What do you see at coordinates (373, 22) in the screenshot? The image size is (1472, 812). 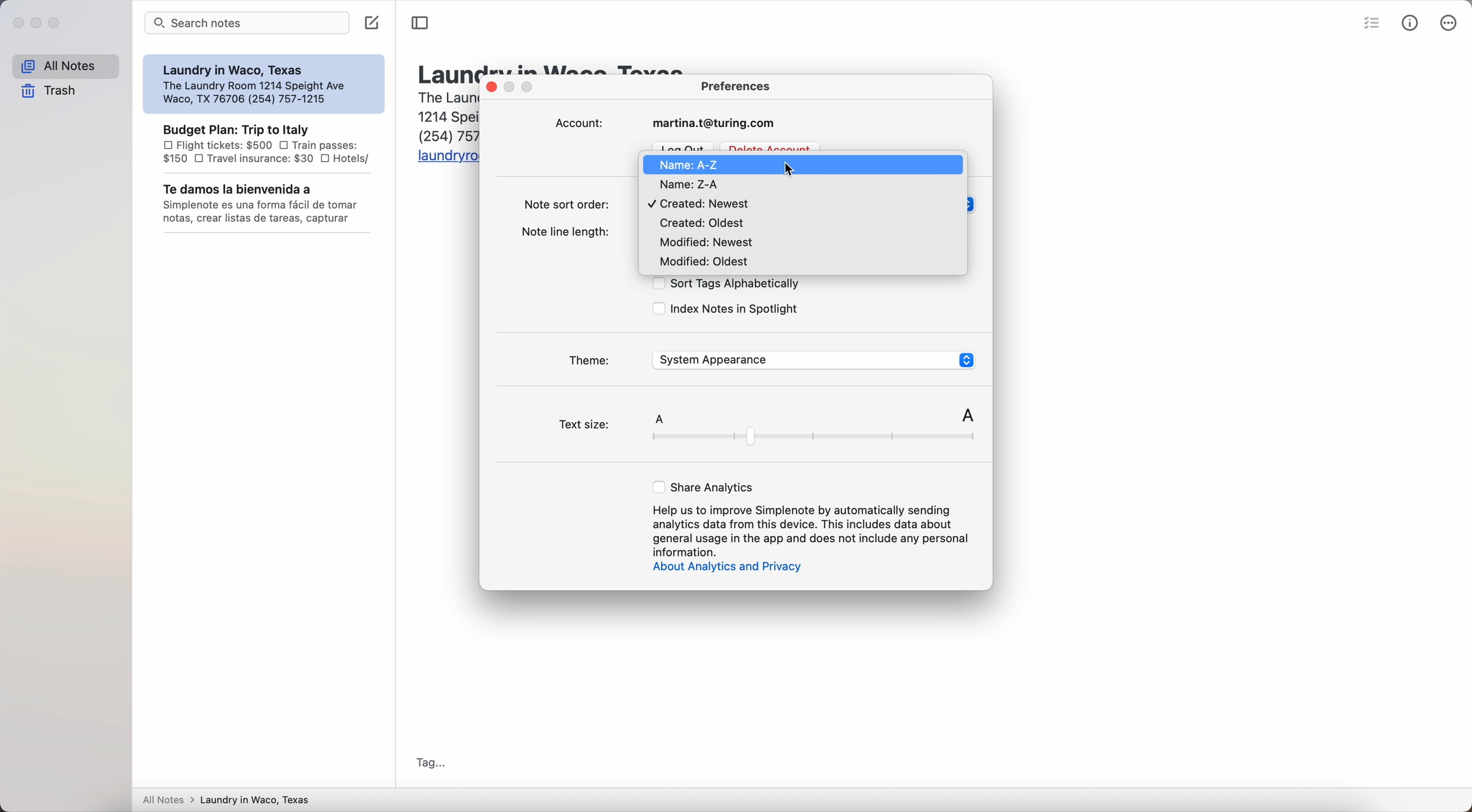 I see `create note` at bounding box center [373, 22].